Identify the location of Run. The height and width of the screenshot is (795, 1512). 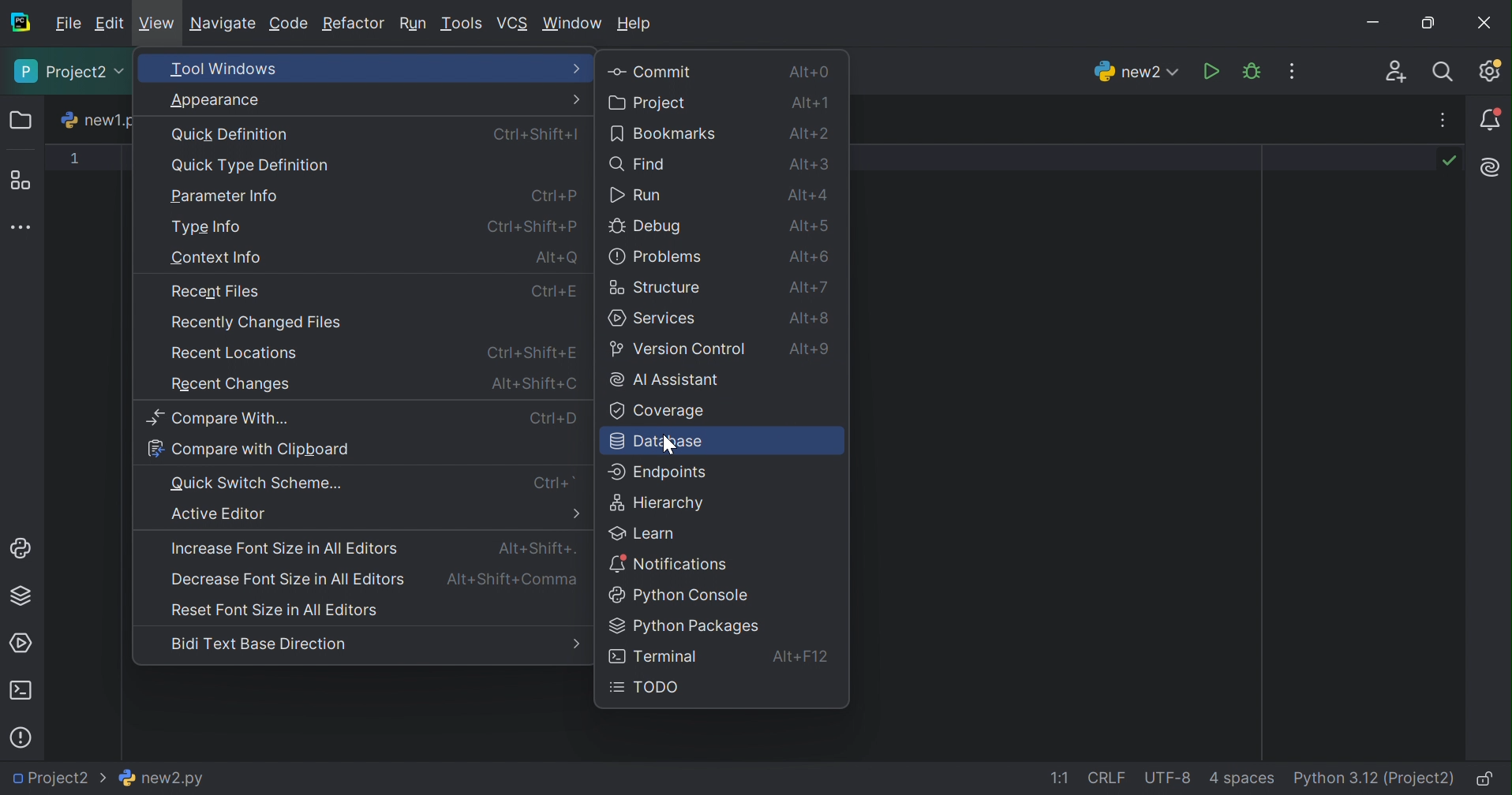
(411, 21).